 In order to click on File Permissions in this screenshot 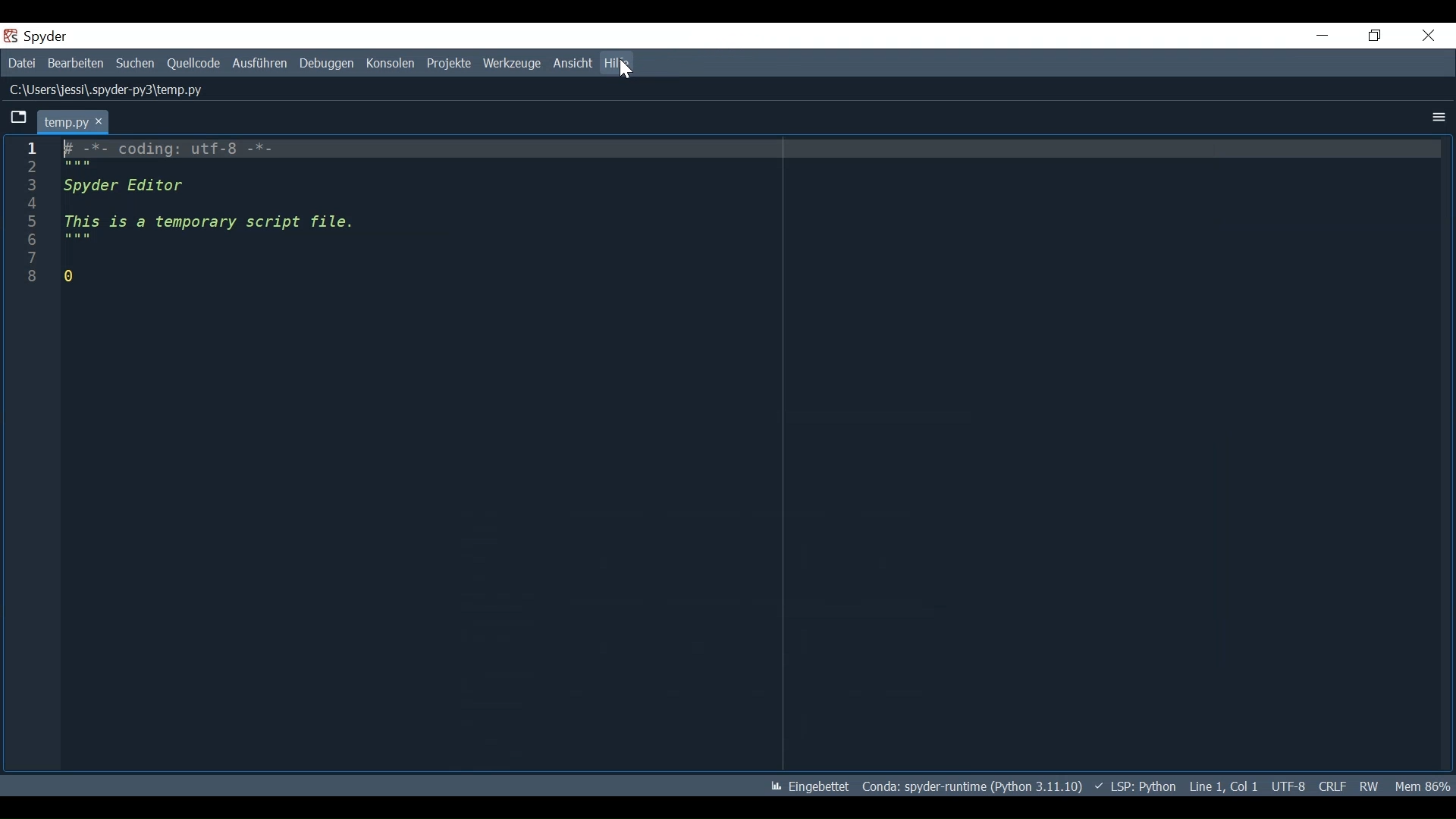, I will do `click(1370, 786)`.